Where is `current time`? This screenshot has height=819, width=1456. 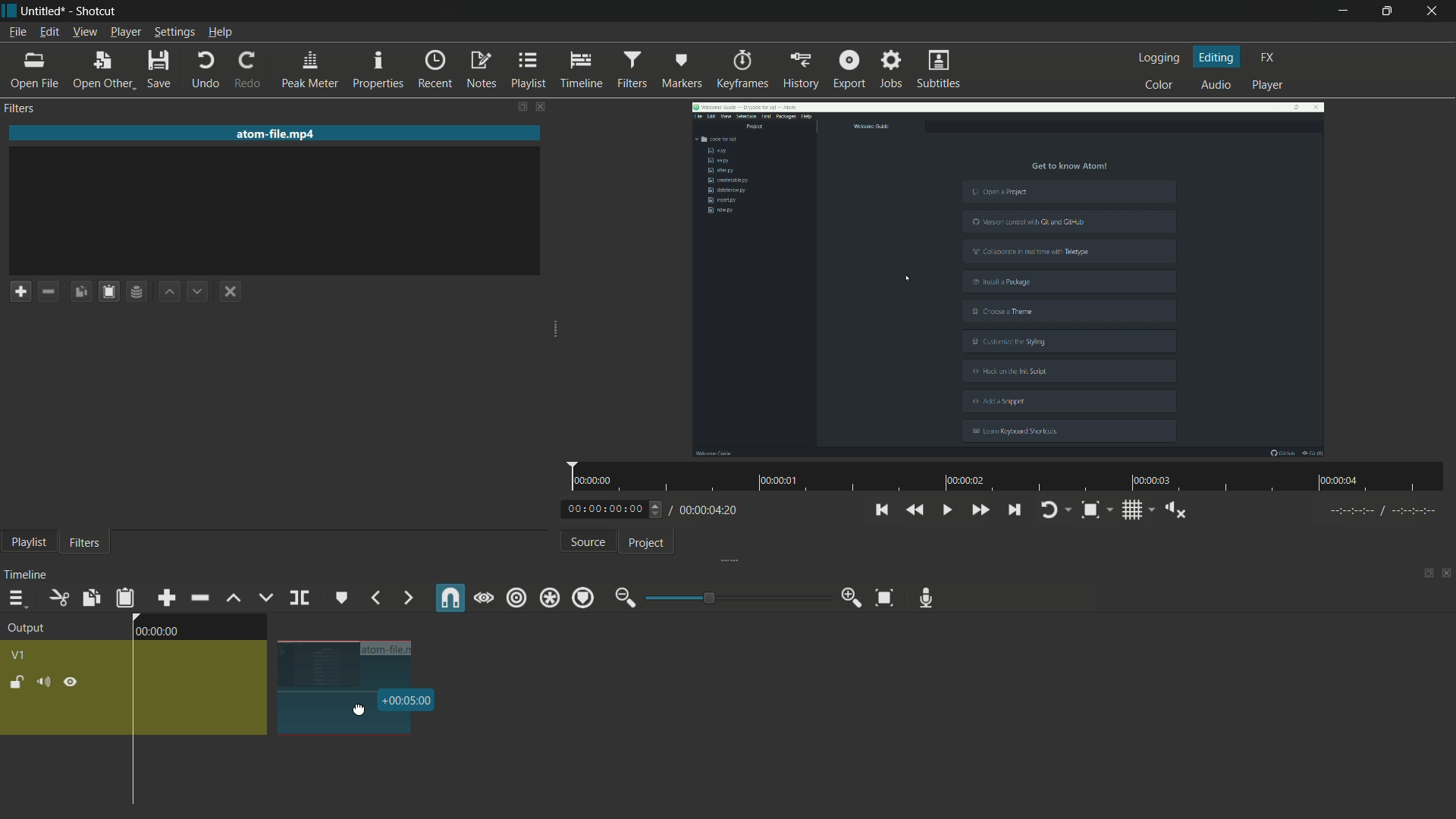
current time is located at coordinates (605, 508).